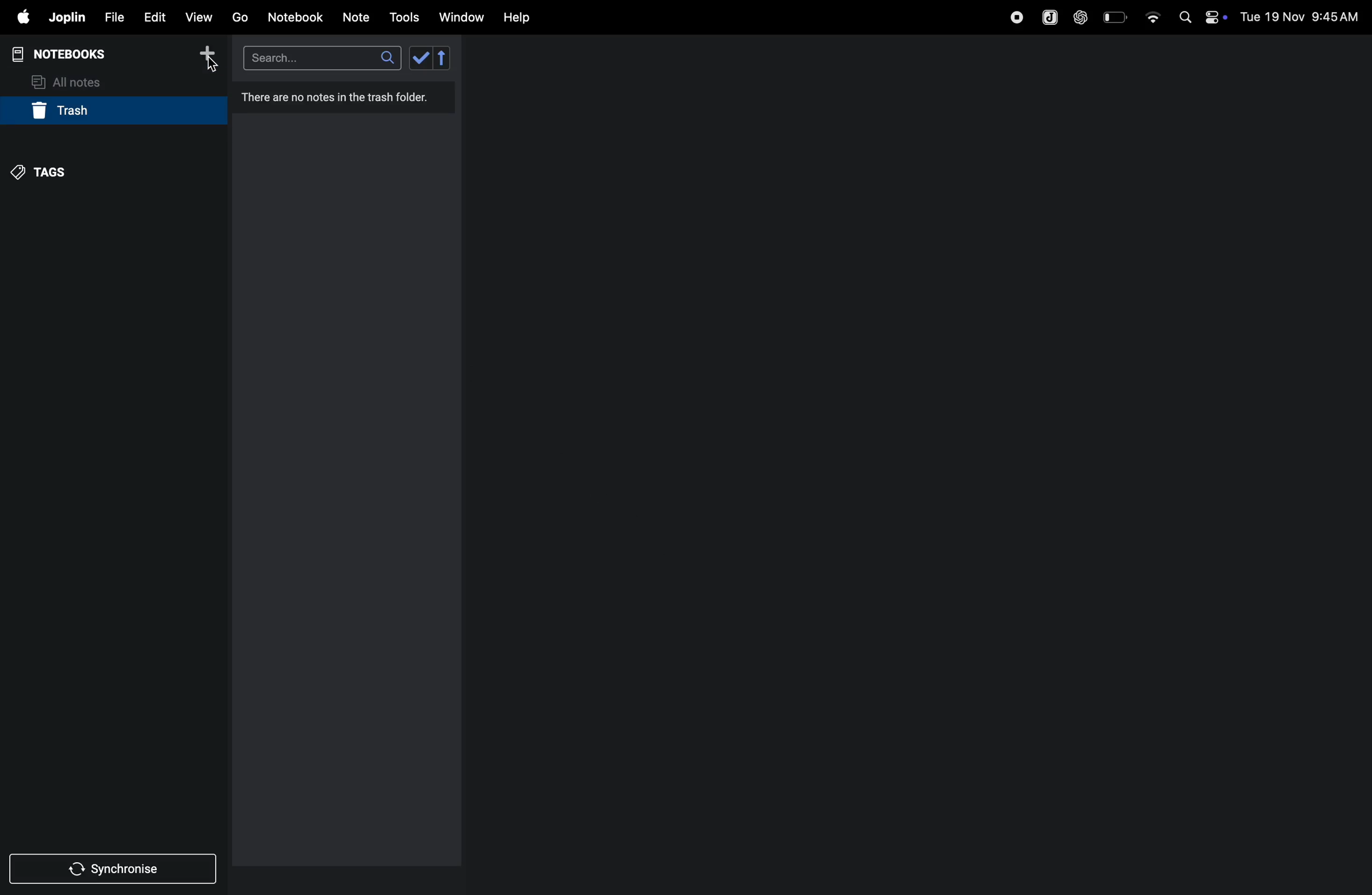 Image resolution: width=1372 pixels, height=895 pixels. What do you see at coordinates (47, 171) in the screenshot?
I see `tags` at bounding box center [47, 171].